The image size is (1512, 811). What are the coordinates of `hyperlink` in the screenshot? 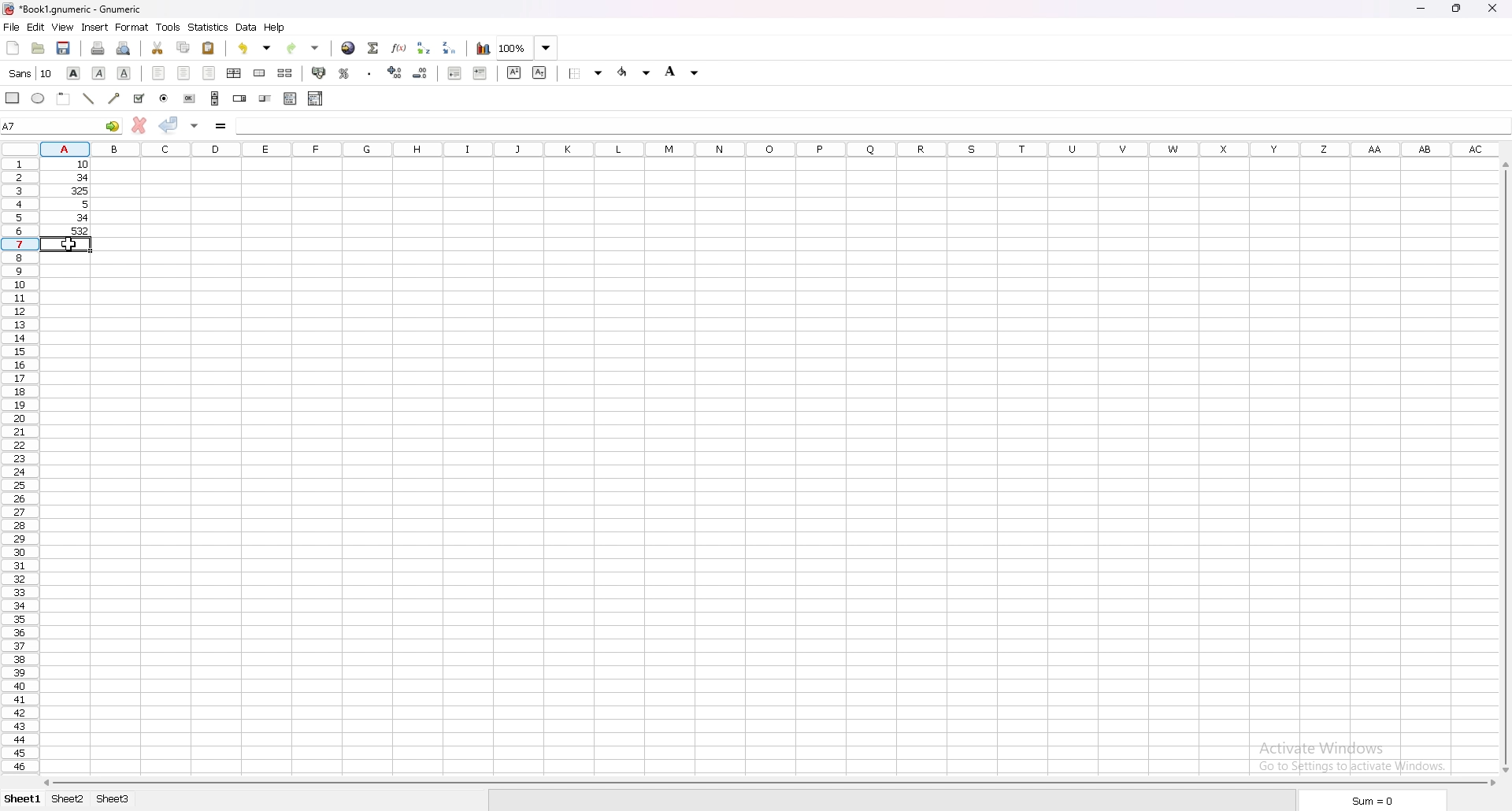 It's located at (347, 47).